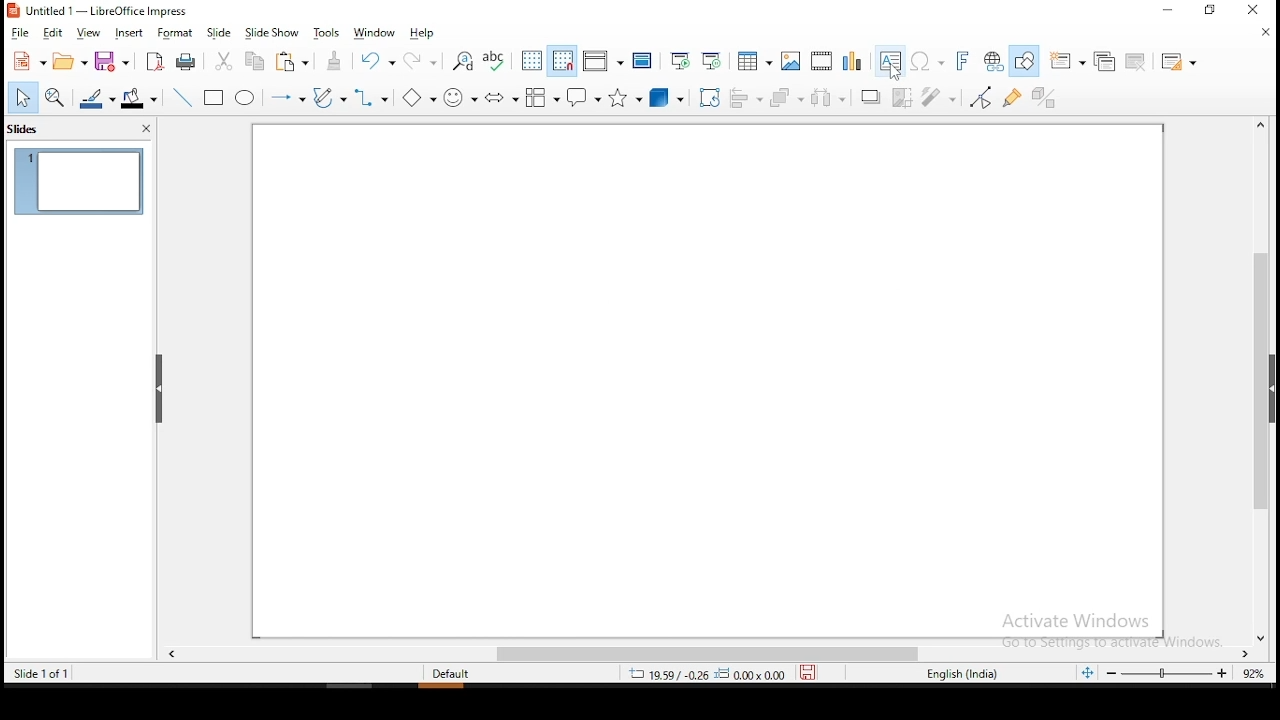  What do you see at coordinates (103, 12) in the screenshot?
I see `icon and file name` at bounding box center [103, 12].